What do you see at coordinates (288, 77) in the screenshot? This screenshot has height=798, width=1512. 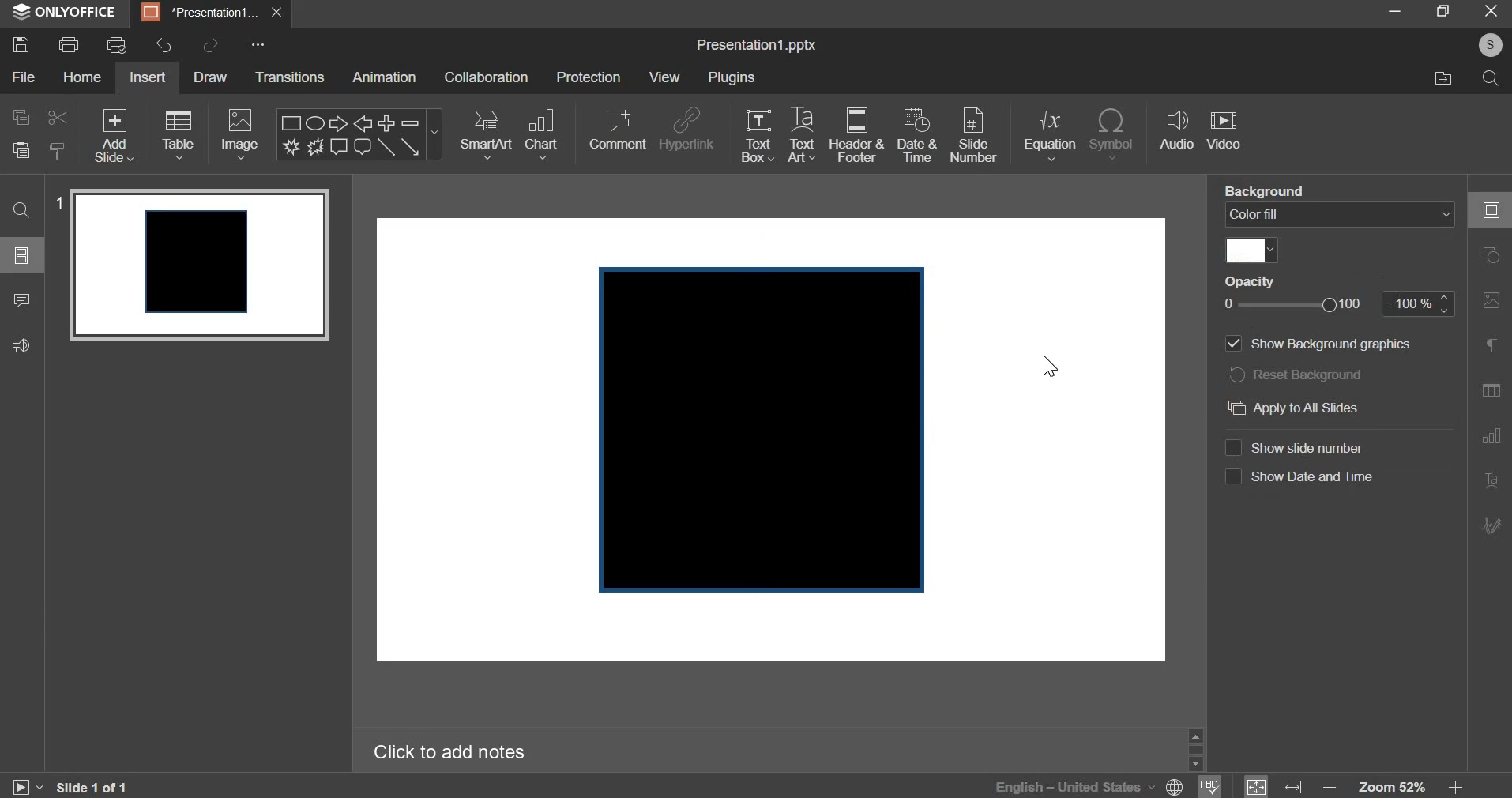 I see `transition` at bounding box center [288, 77].